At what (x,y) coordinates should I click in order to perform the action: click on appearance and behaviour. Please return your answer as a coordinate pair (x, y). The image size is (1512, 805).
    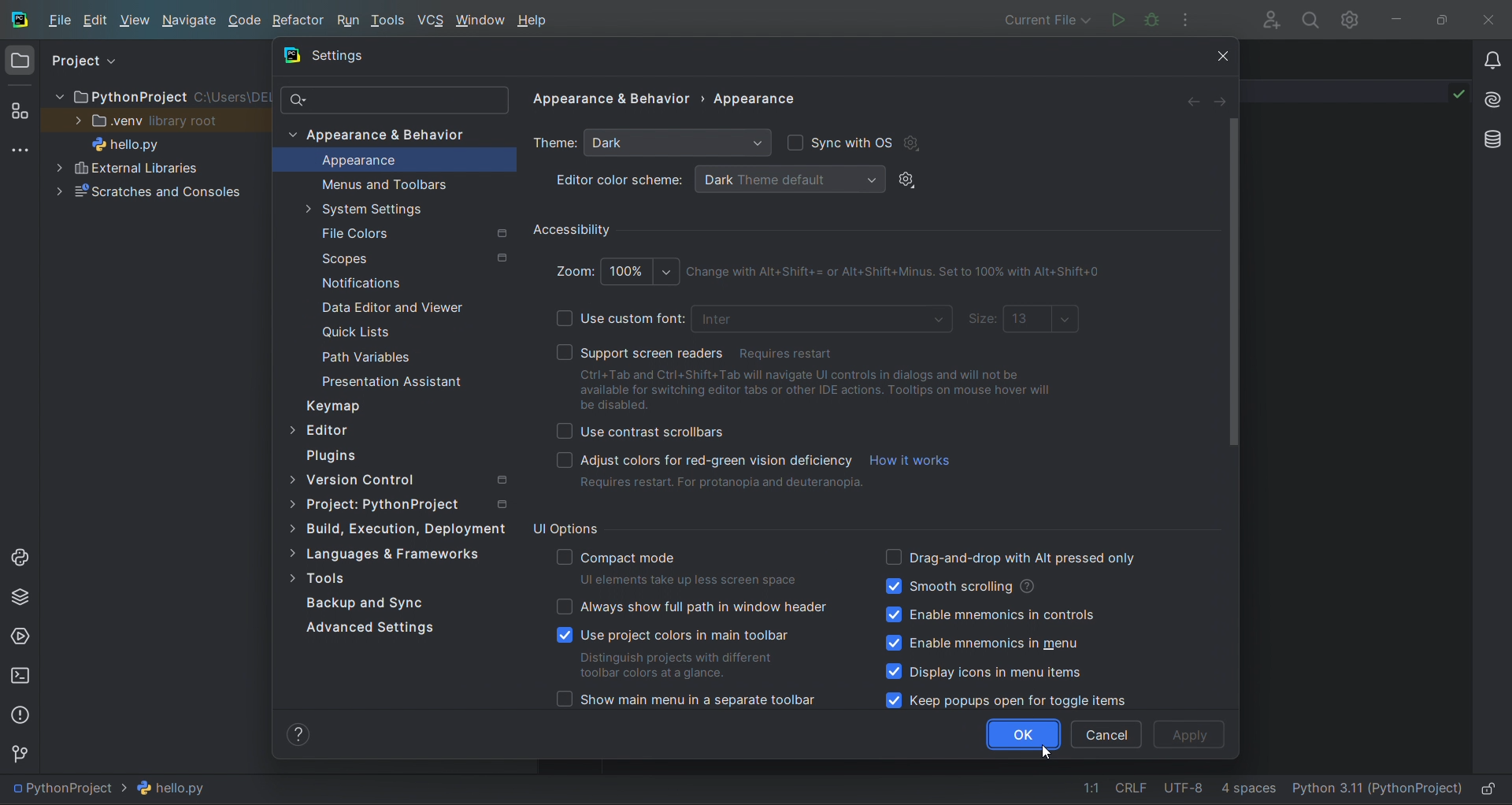
    Looking at the image, I should click on (395, 133).